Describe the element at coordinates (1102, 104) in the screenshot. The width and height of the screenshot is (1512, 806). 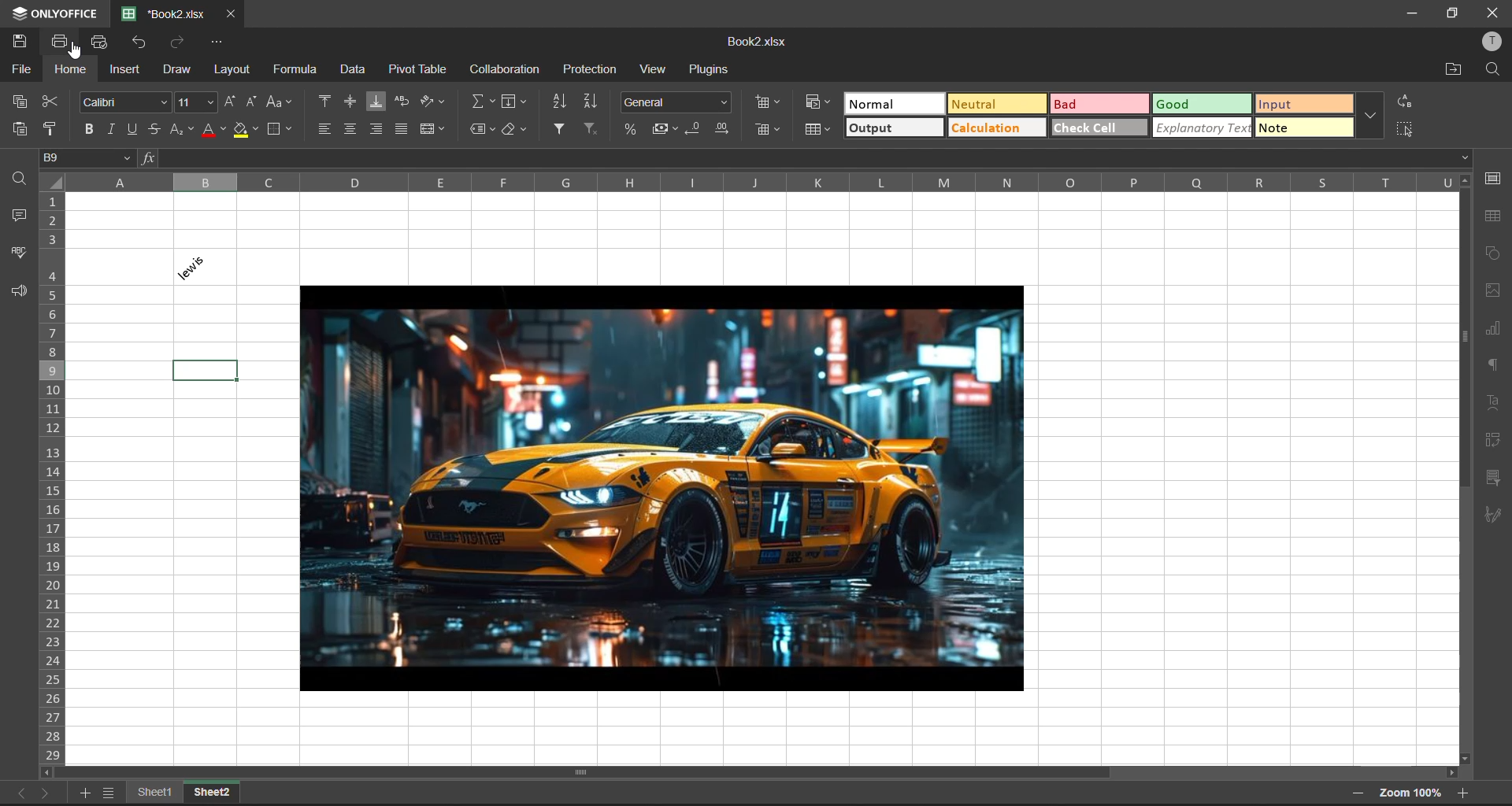
I see `bad` at that location.